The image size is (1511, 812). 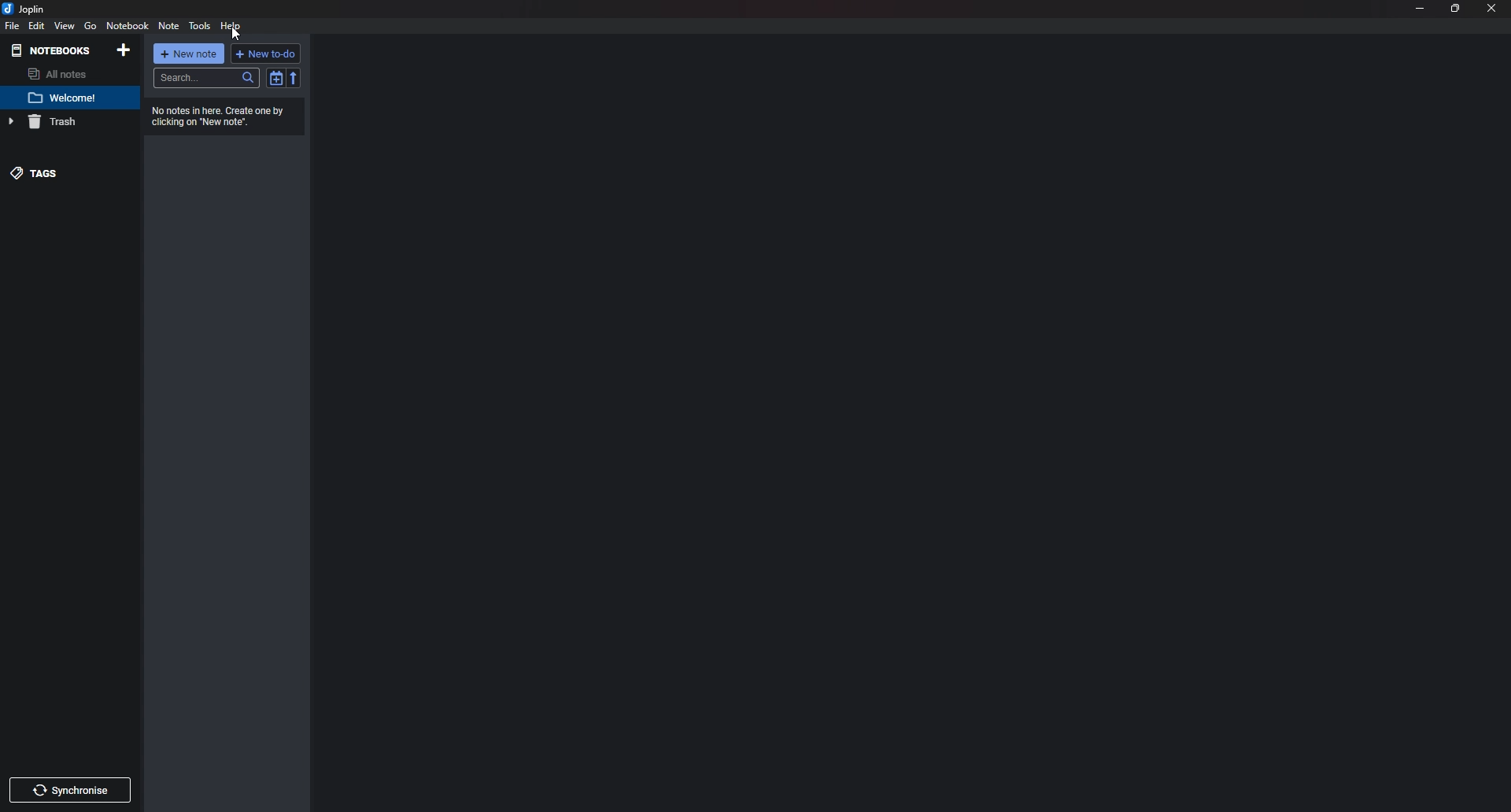 I want to click on search, so click(x=205, y=79).